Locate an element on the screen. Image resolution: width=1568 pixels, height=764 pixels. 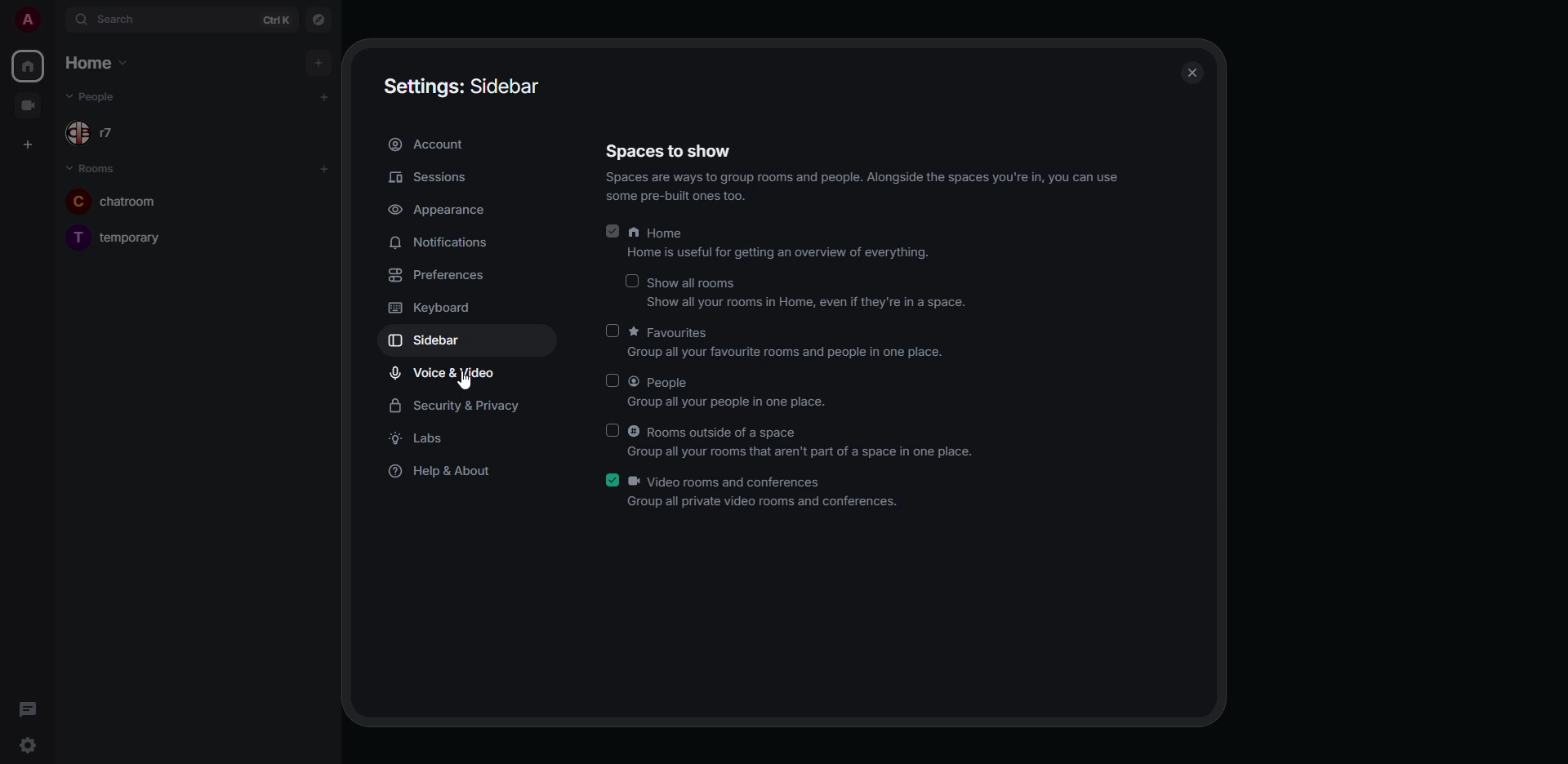
navigator is located at coordinates (317, 20).